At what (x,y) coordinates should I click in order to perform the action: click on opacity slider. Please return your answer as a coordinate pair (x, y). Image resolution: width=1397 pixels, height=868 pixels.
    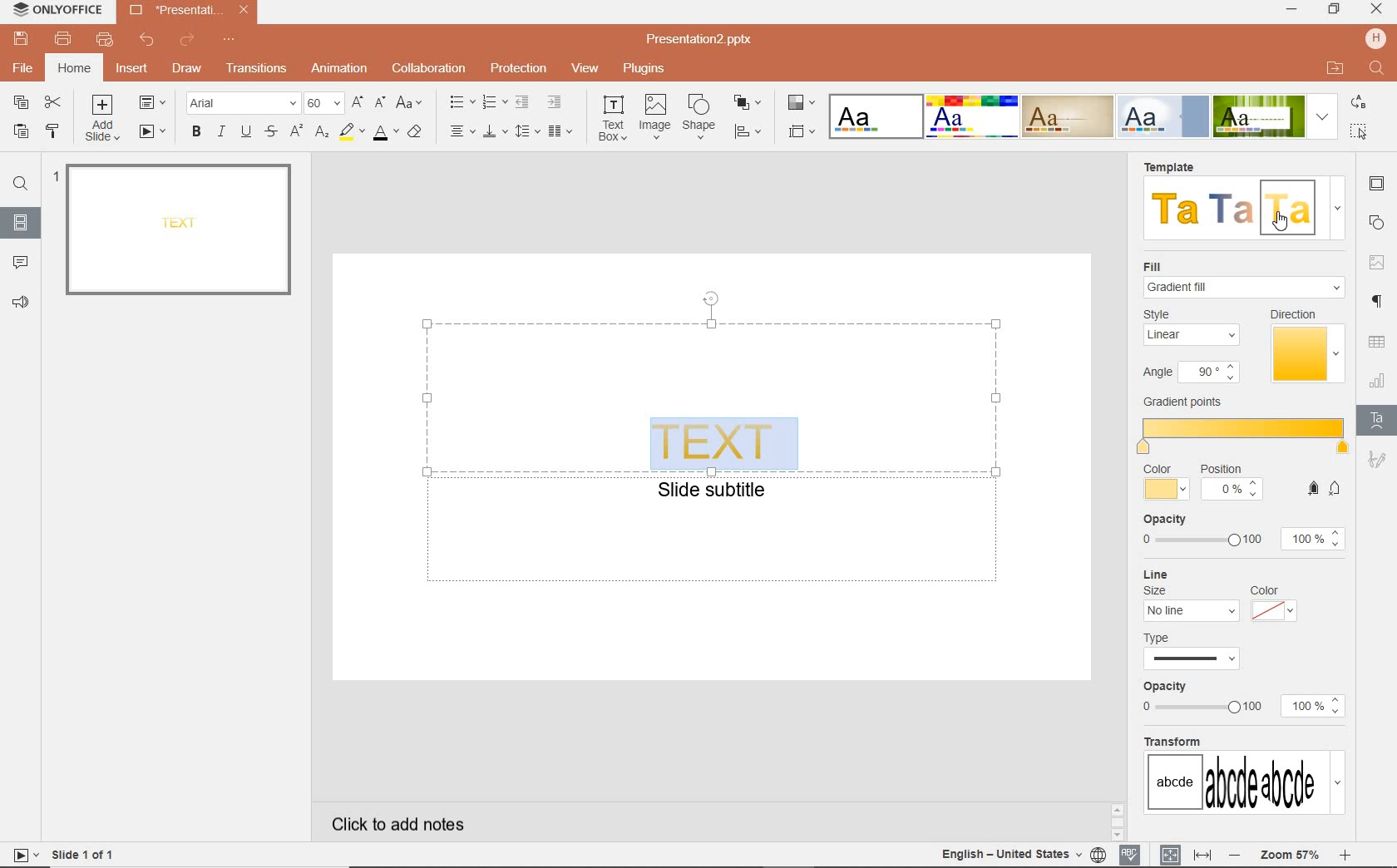
    Looking at the image, I should click on (1202, 536).